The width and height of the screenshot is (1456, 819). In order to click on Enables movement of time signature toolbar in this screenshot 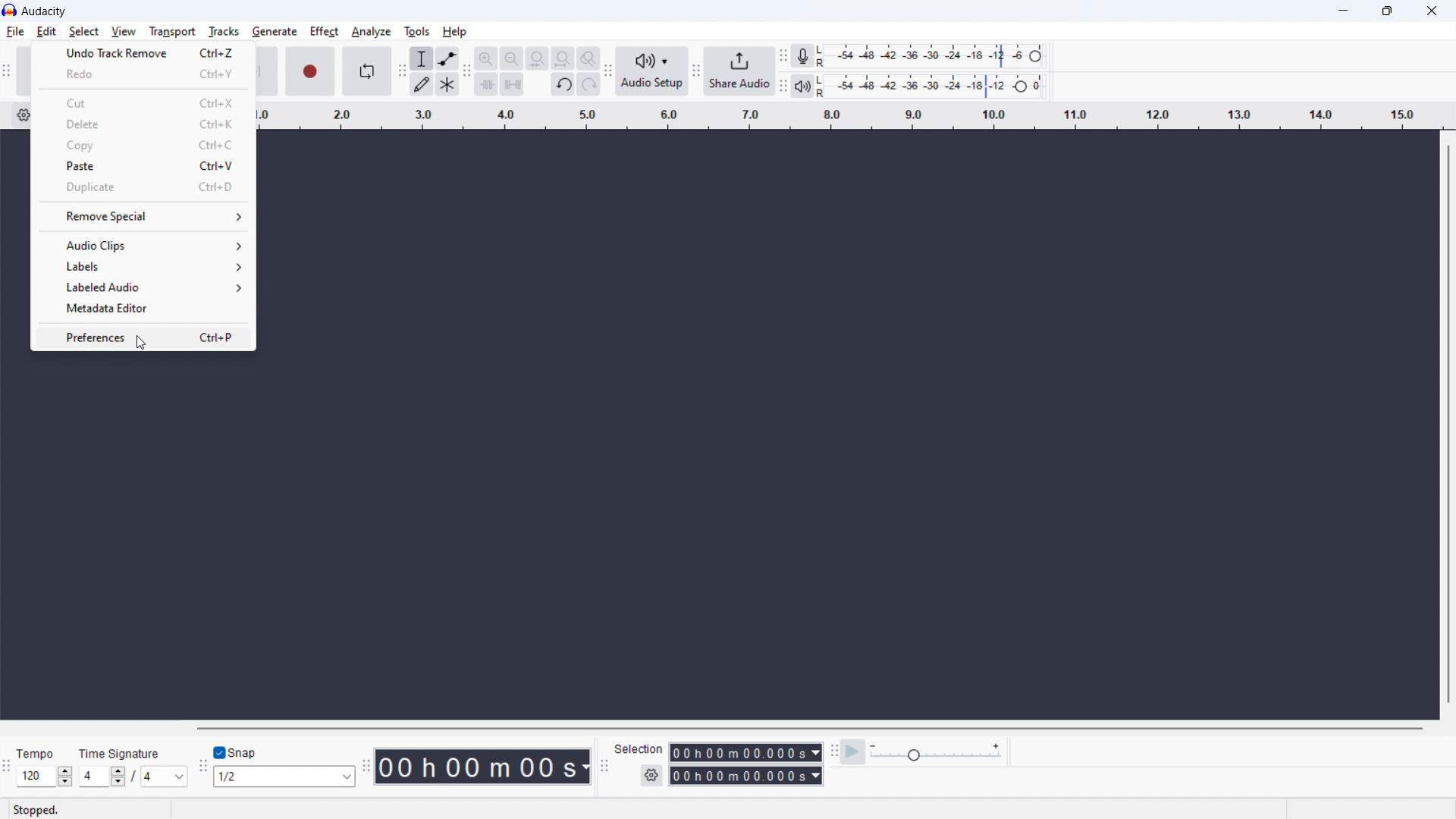, I will do `click(5, 767)`.